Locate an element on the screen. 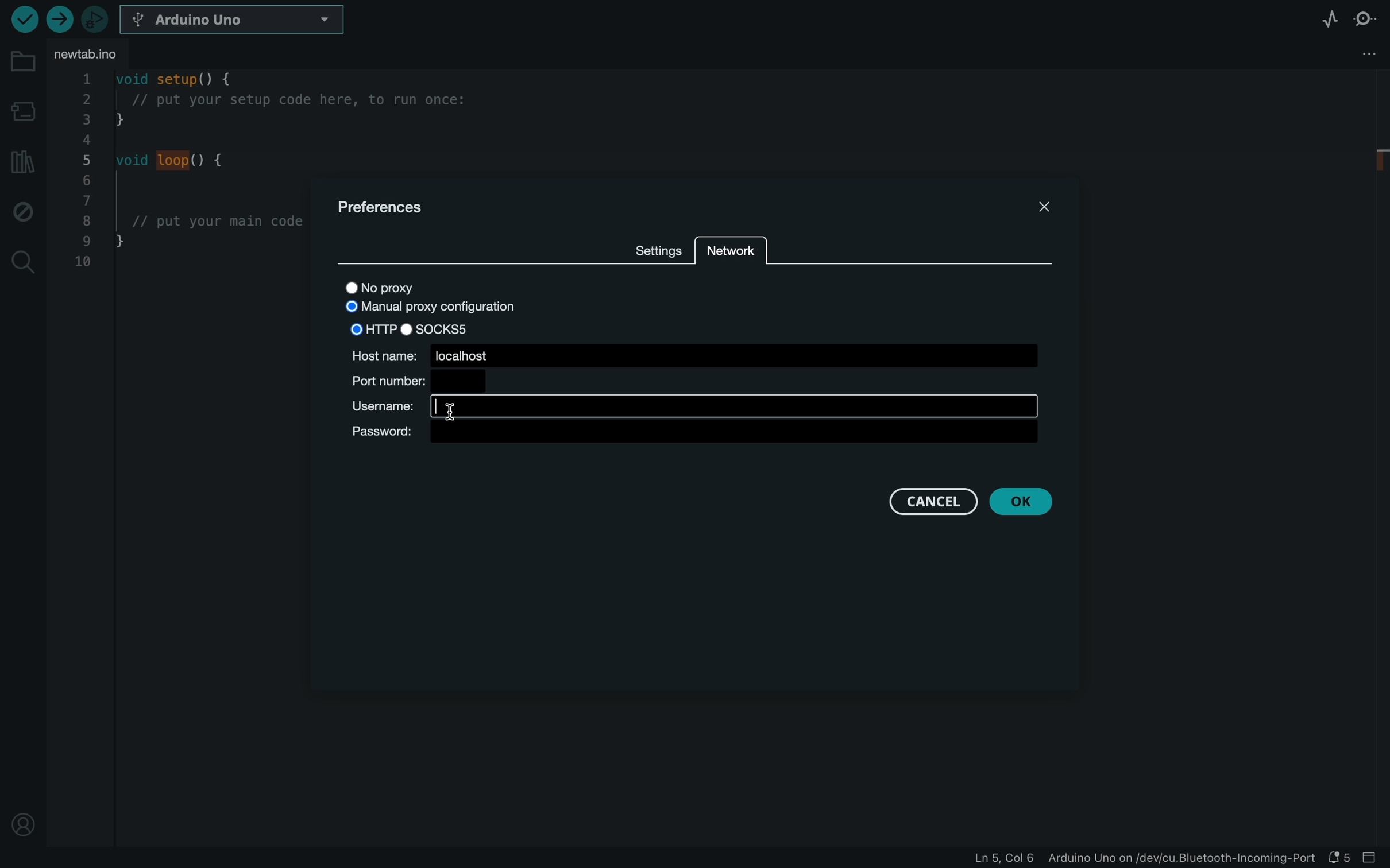 This screenshot has width=1390, height=868. close is located at coordinates (1045, 204).